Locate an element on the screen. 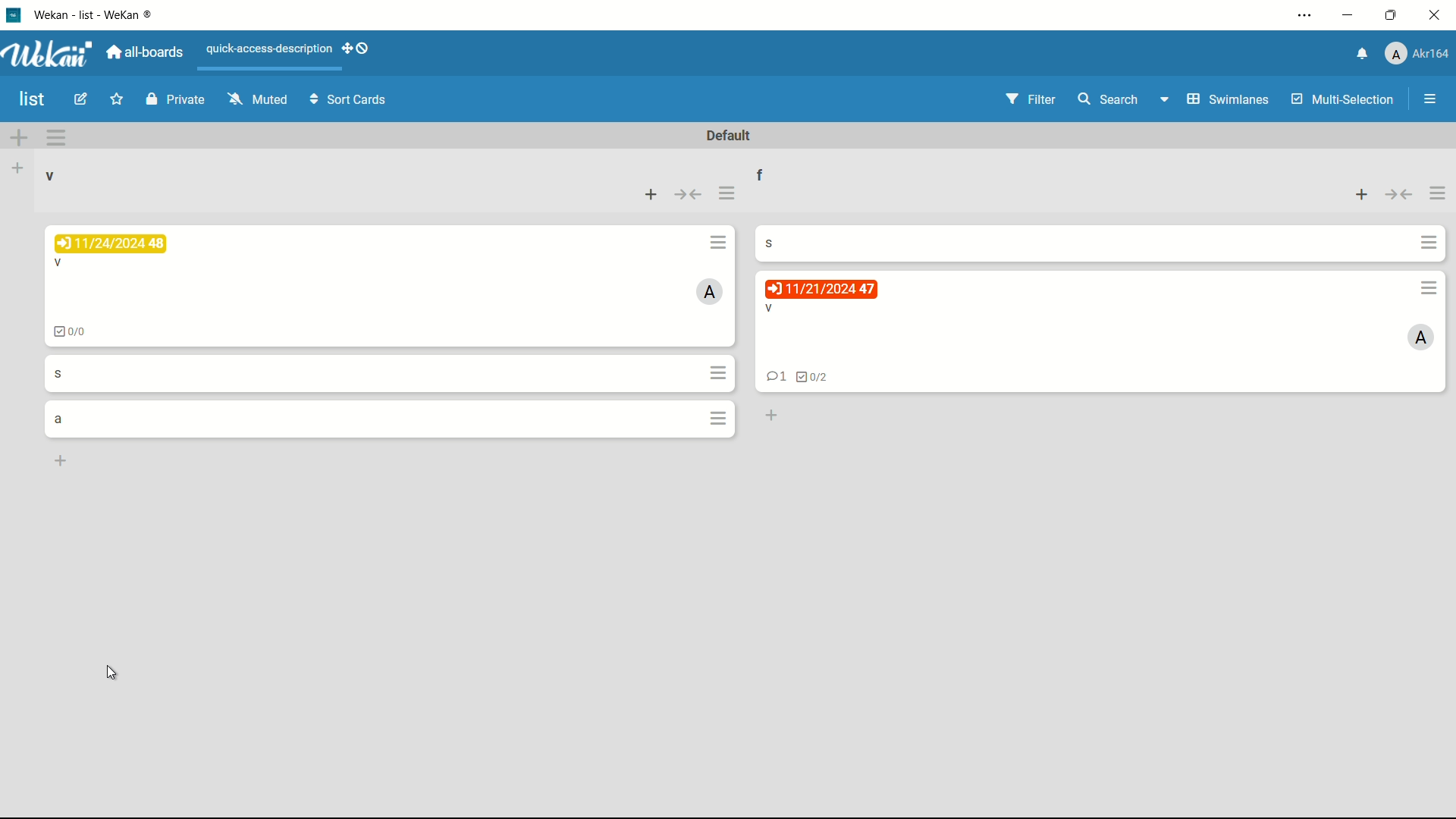 The width and height of the screenshot is (1456, 819). card name is located at coordinates (777, 242).